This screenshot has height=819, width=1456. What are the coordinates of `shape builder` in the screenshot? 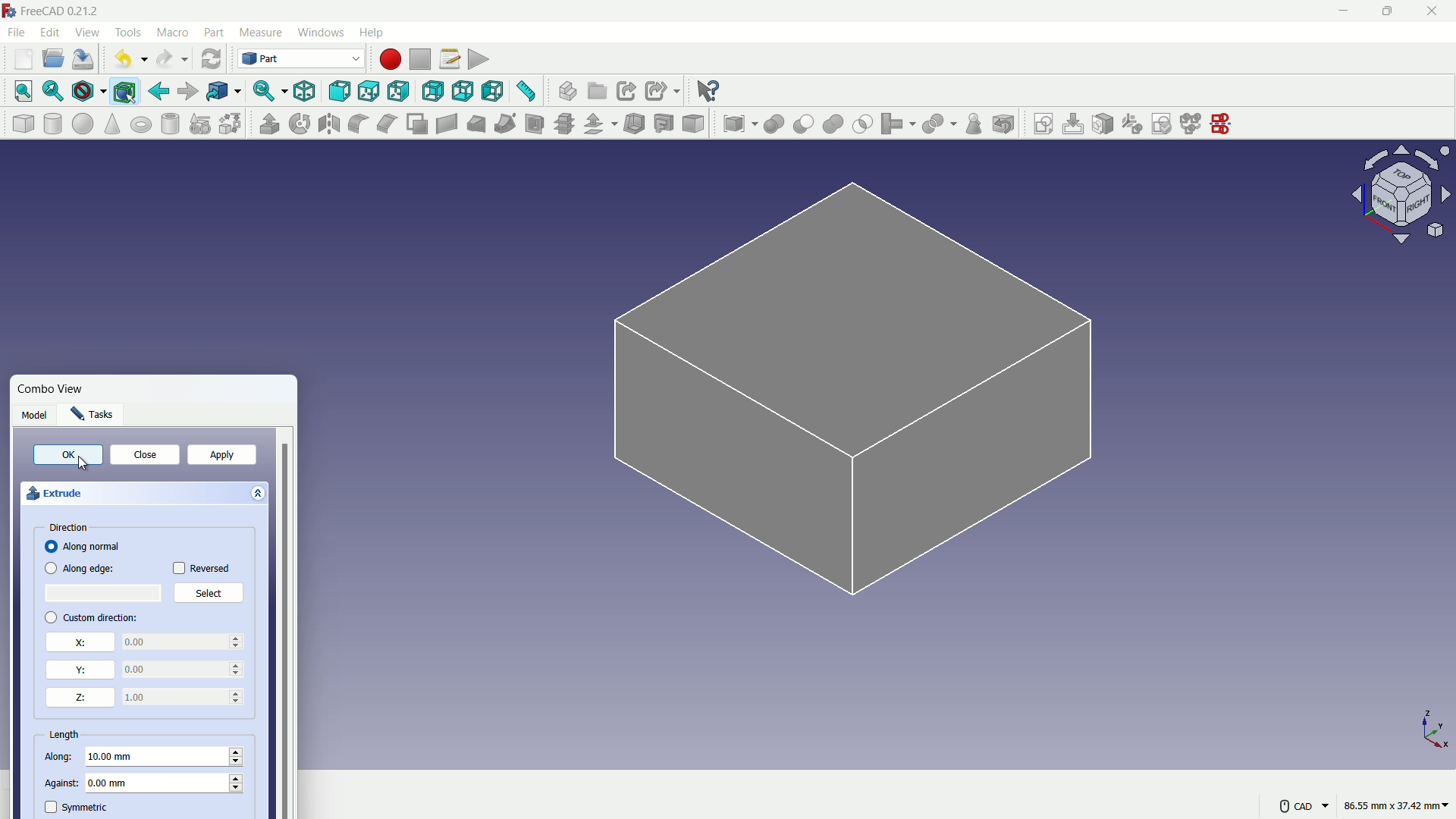 It's located at (231, 124).